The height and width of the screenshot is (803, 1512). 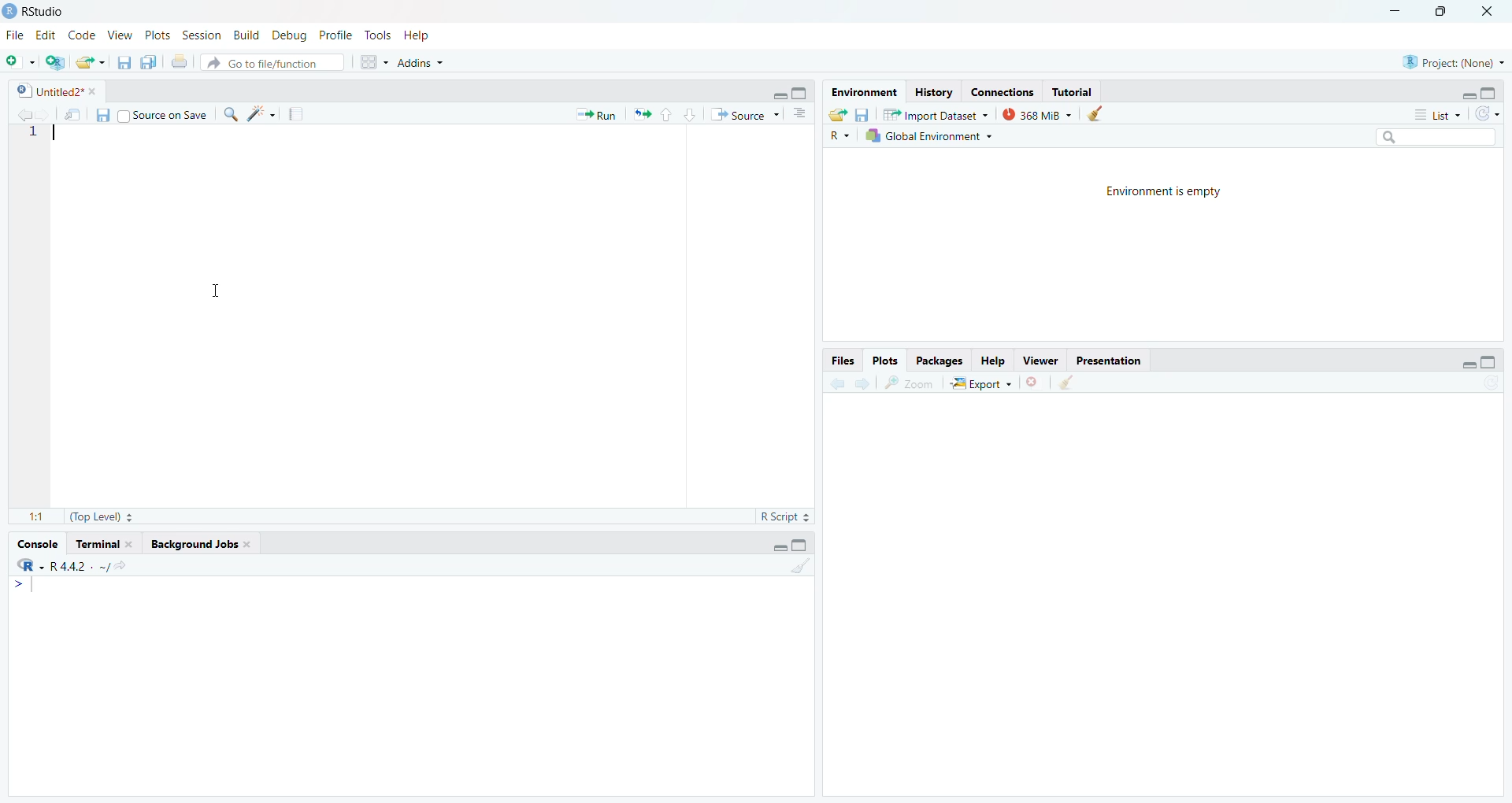 What do you see at coordinates (45, 35) in the screenshot?
I see `Edit` at bounding box center [45, 35].